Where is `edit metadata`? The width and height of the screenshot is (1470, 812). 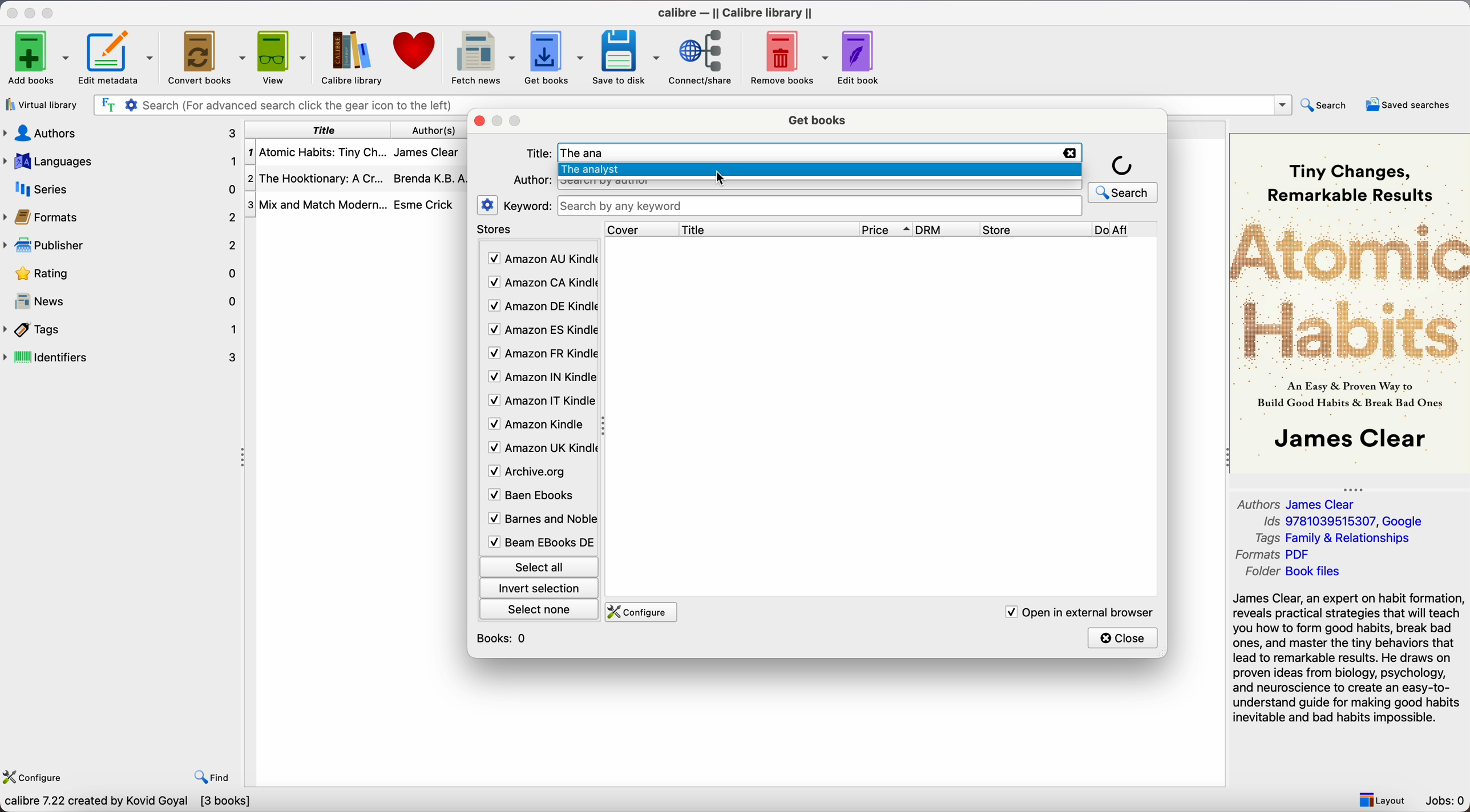
edit metadata is located at coordinates (118, 59).